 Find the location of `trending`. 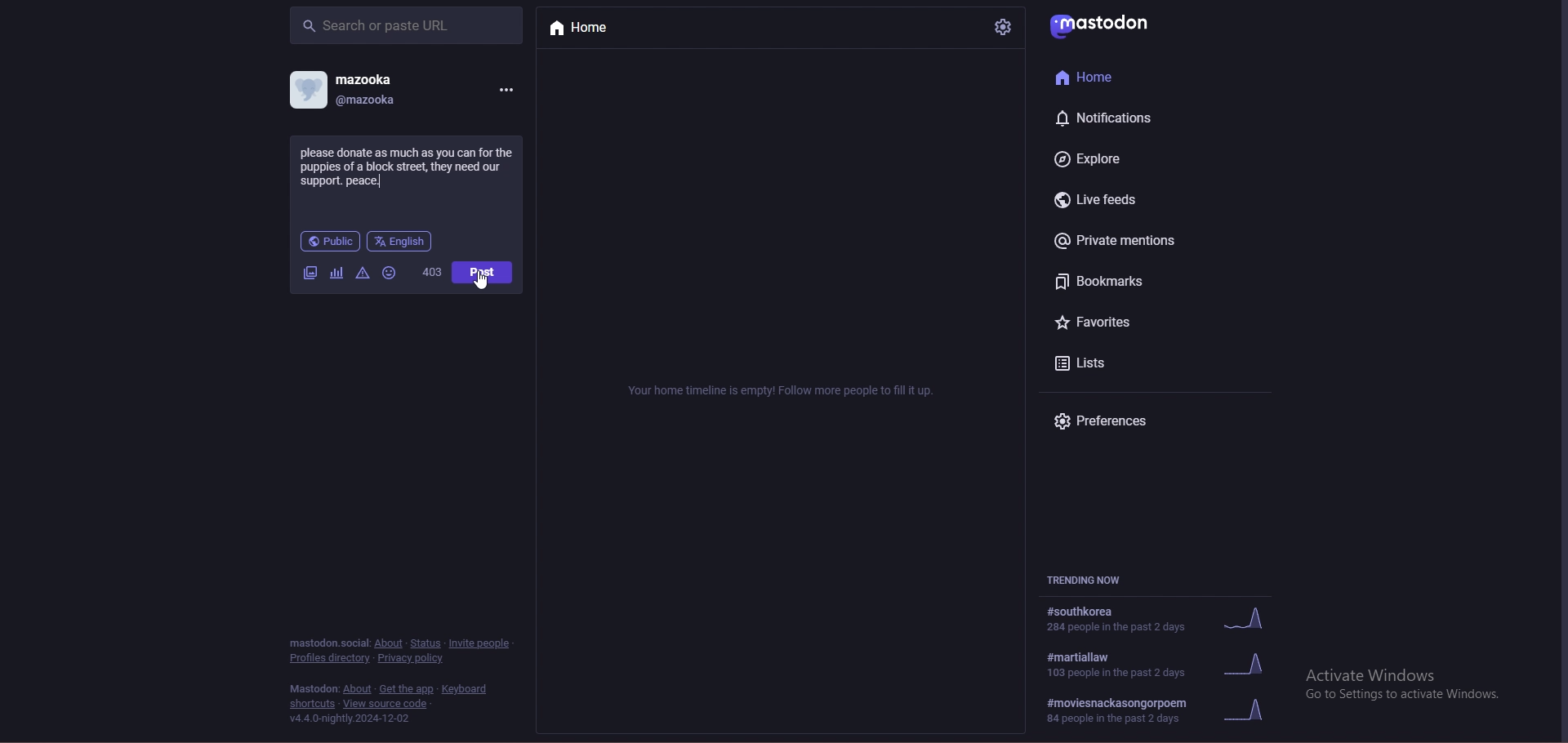

trending is located at coordinates (1156, 618).